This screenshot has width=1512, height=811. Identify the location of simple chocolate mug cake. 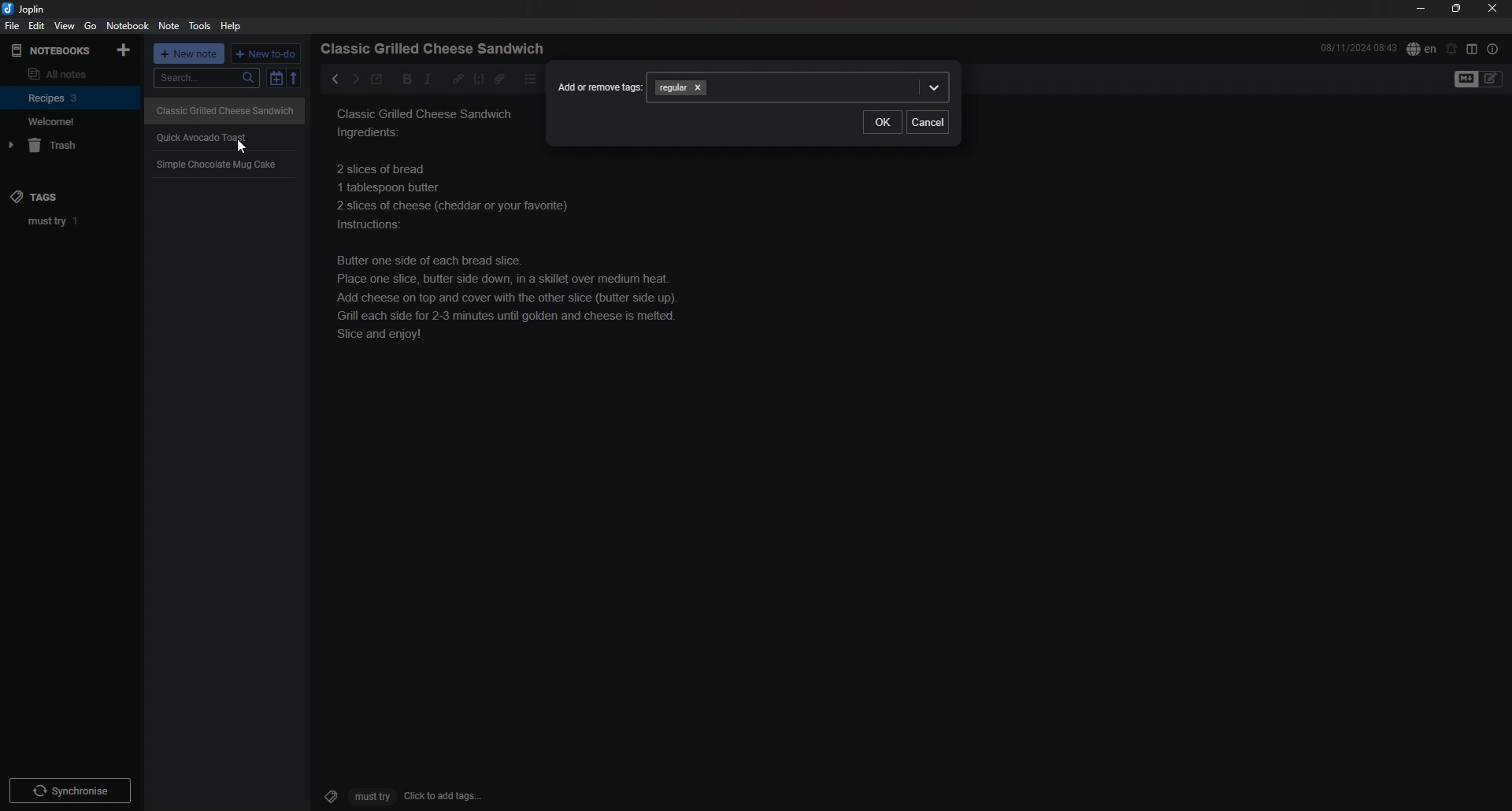
(218, 164).